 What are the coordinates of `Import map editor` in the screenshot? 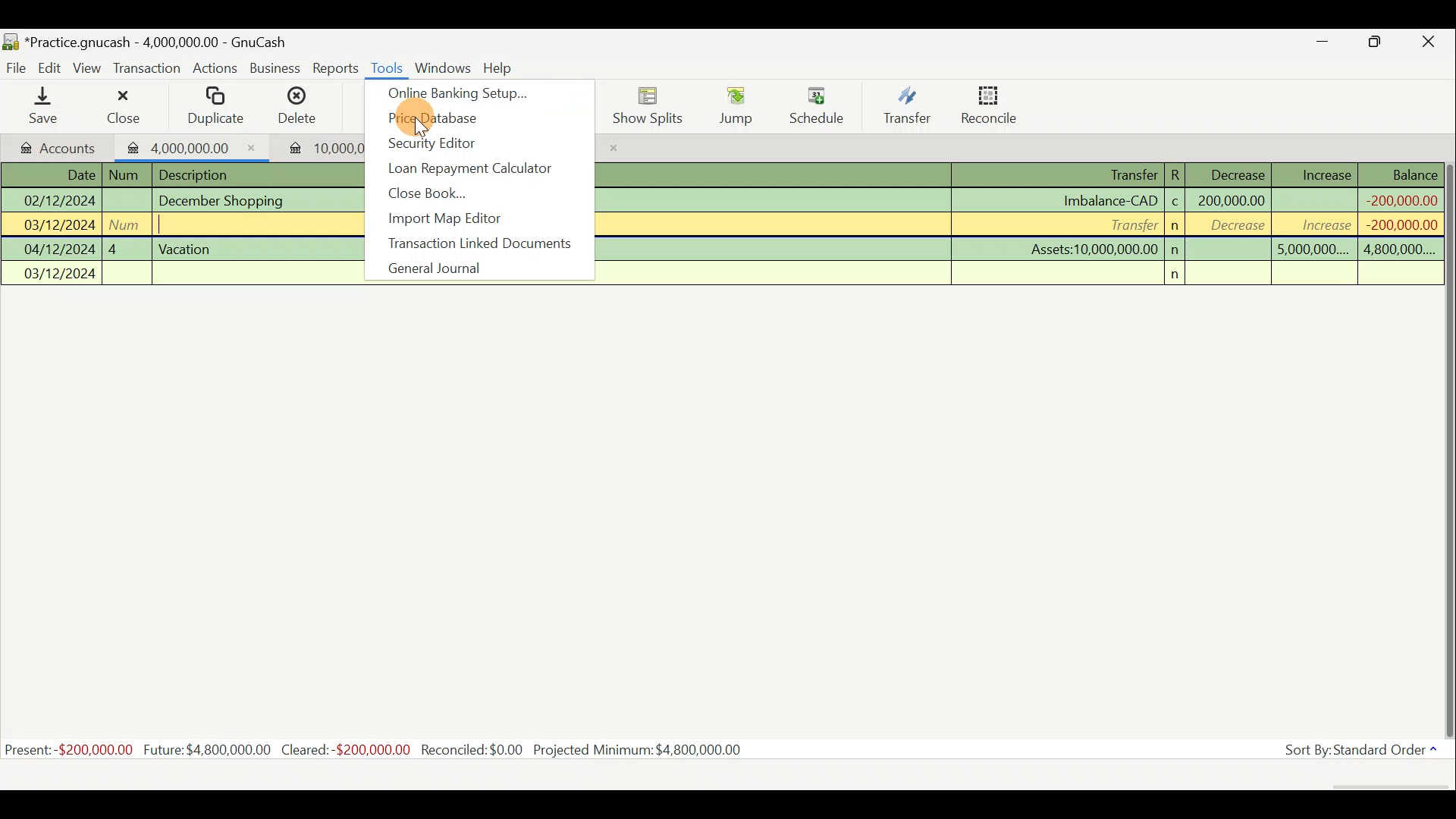 It's located at (448, 218).